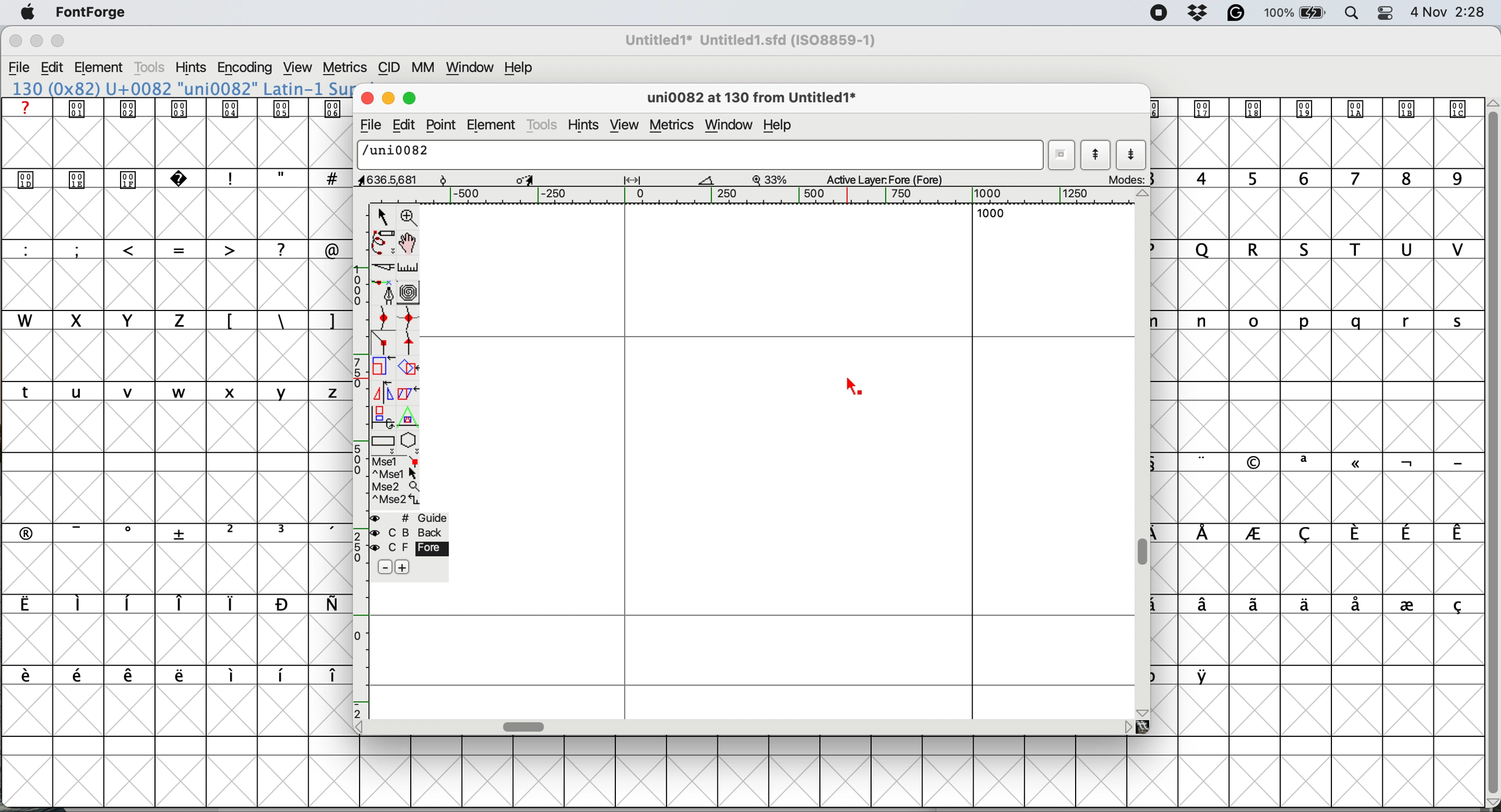 The height and width of the screenshot is (812, 1501). Describe the element at coordinates (179, 89) in the screenshot. I see `font name` at that location.